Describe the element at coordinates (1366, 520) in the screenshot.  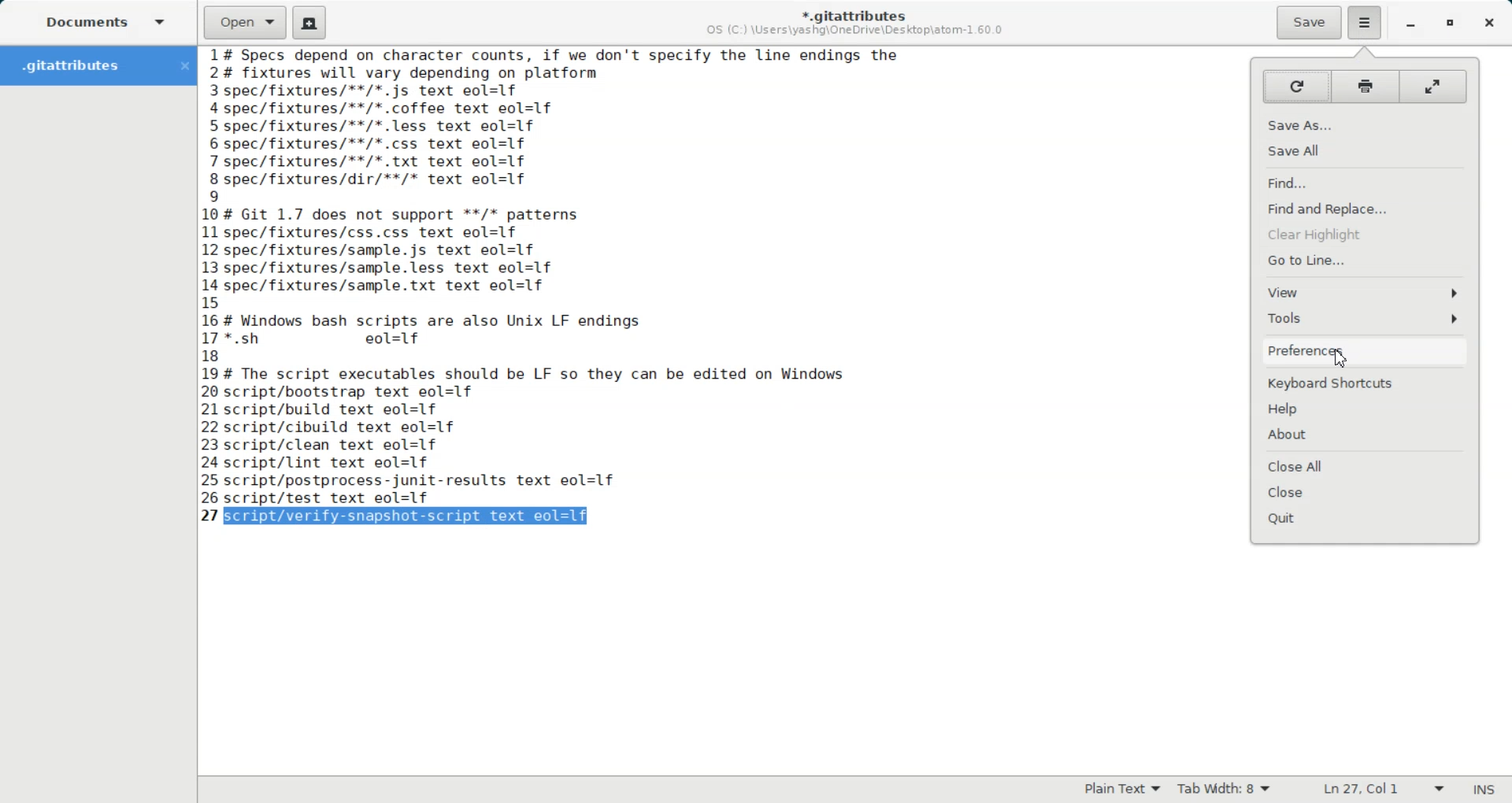
I see `Quit` at that location.